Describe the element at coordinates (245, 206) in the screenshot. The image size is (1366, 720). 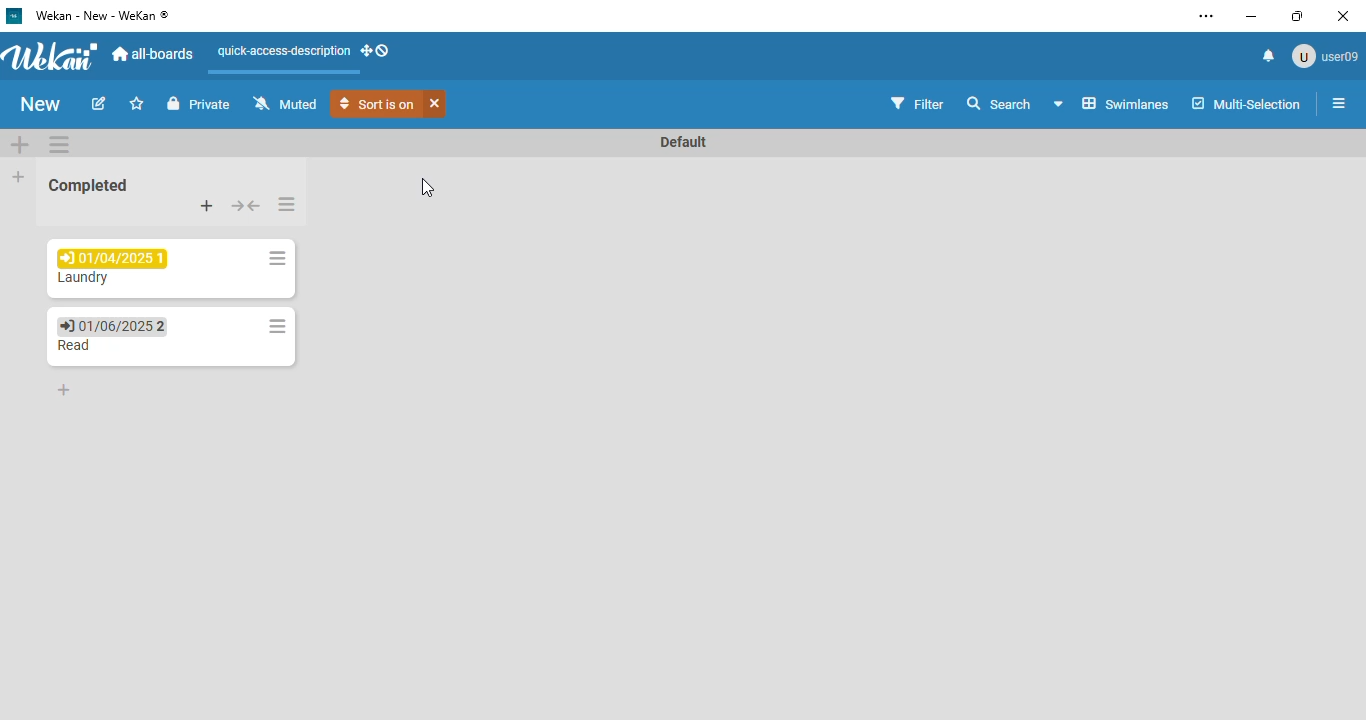
I see `collapse` at that location.